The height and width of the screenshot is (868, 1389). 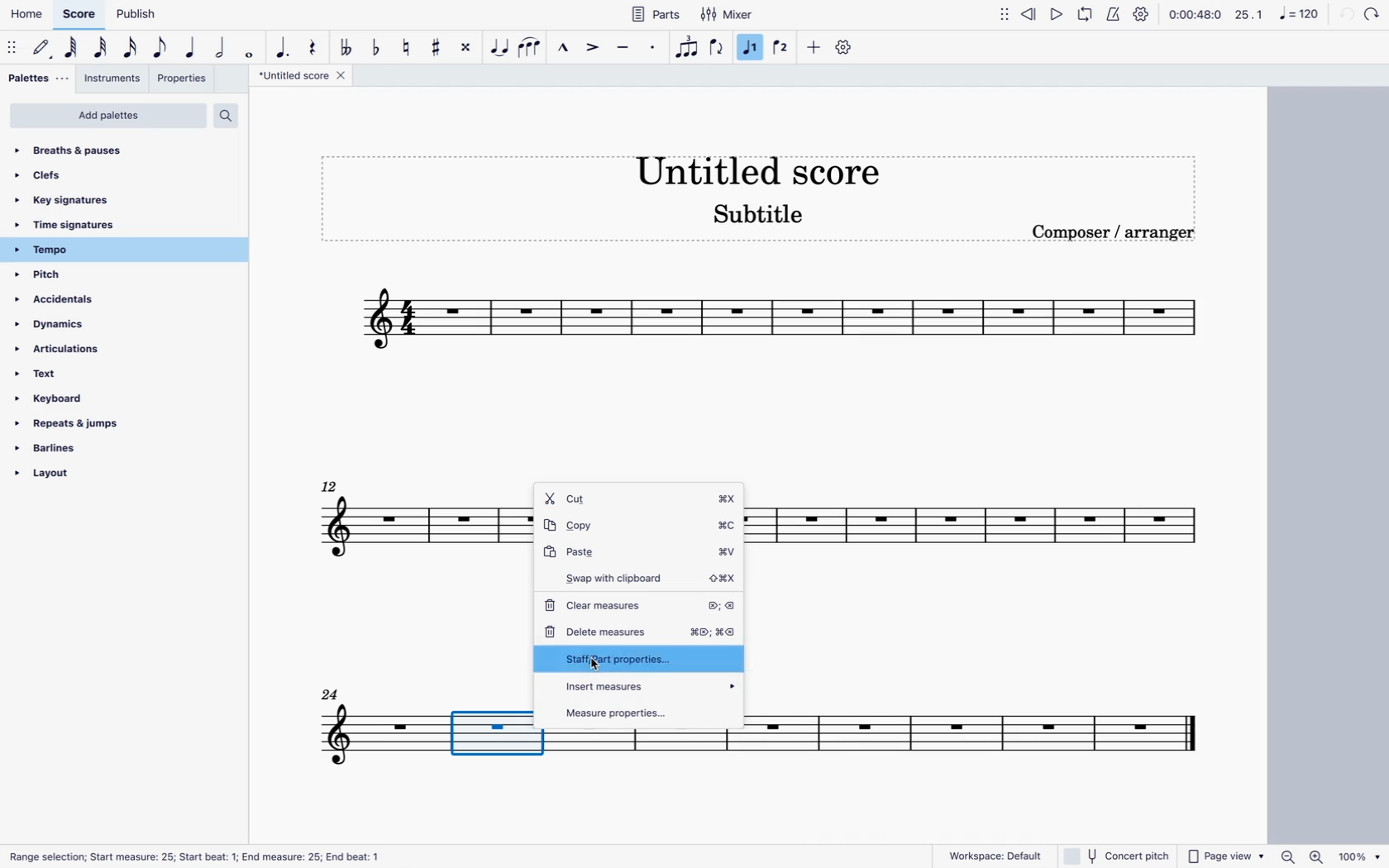 What do you see at coordinates (62, 250) in the screenshot?
I see `tempo` at bounding box center [62, 250].